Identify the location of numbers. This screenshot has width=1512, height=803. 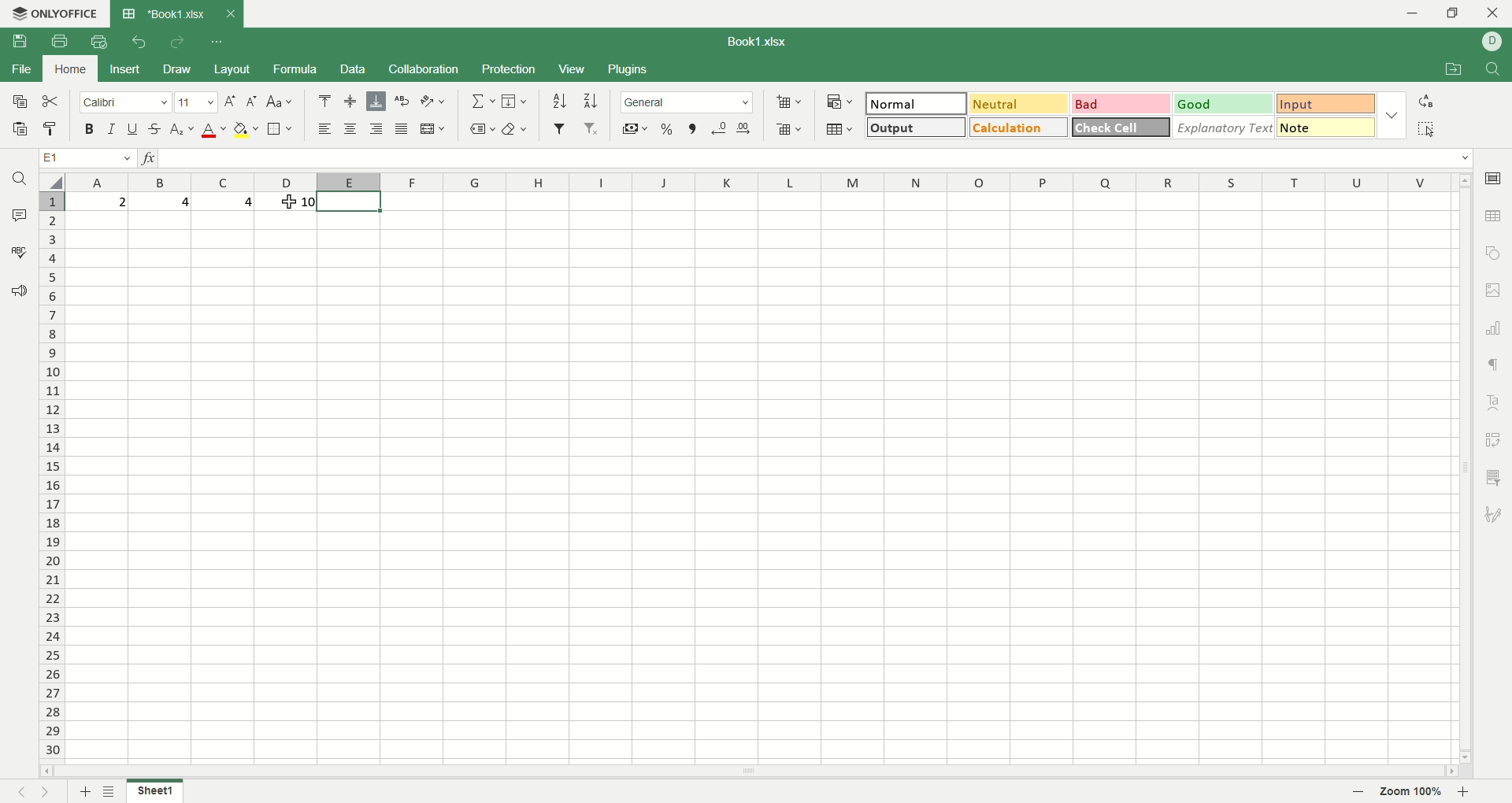
(161, 202).